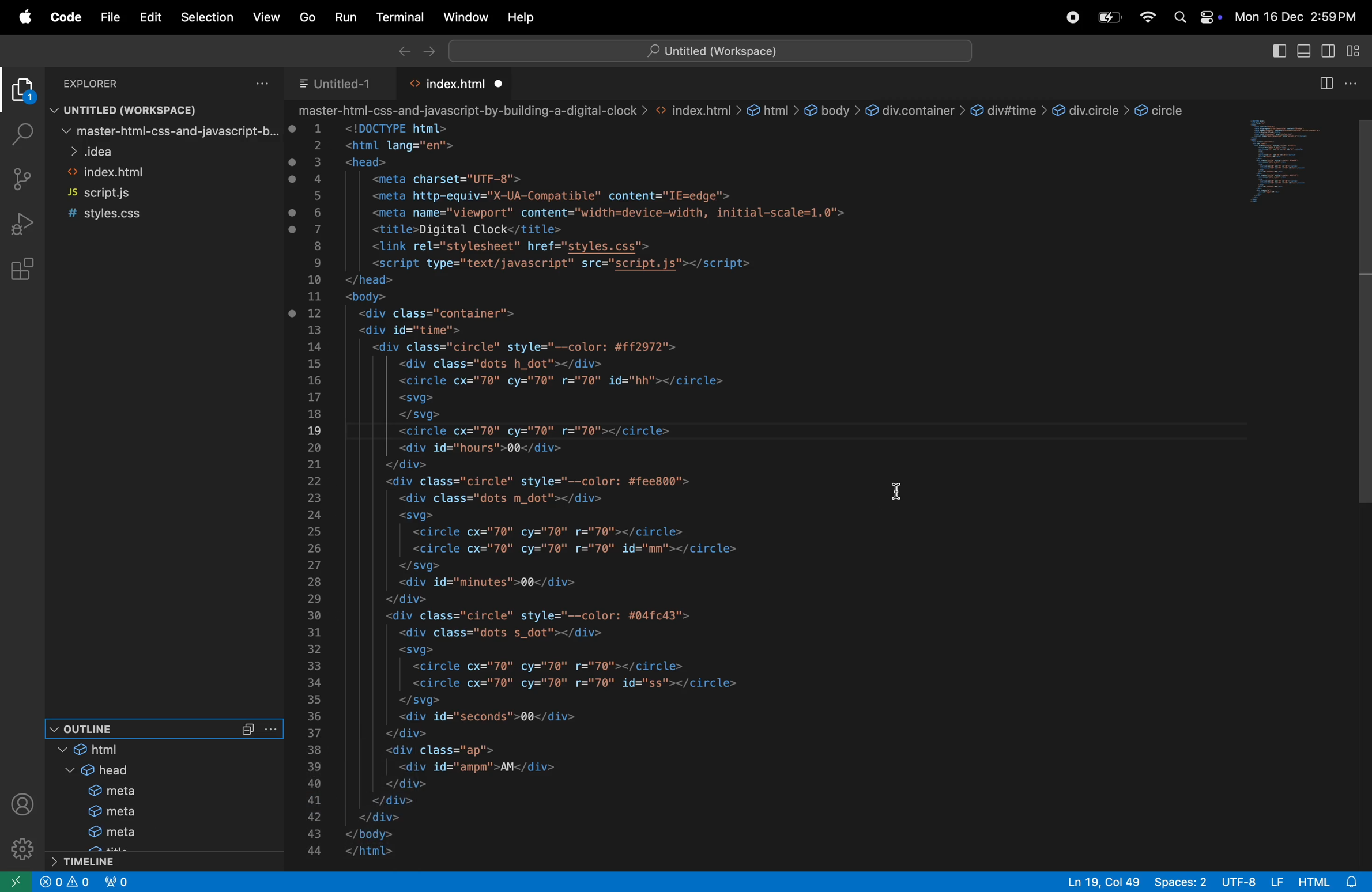 Image resolution: width=1372 pixels, height=892 pixels. What do you see at coordinates (1252, 882) in the screenshot?
I see `urf 8` at bounding box center [1252, 882].